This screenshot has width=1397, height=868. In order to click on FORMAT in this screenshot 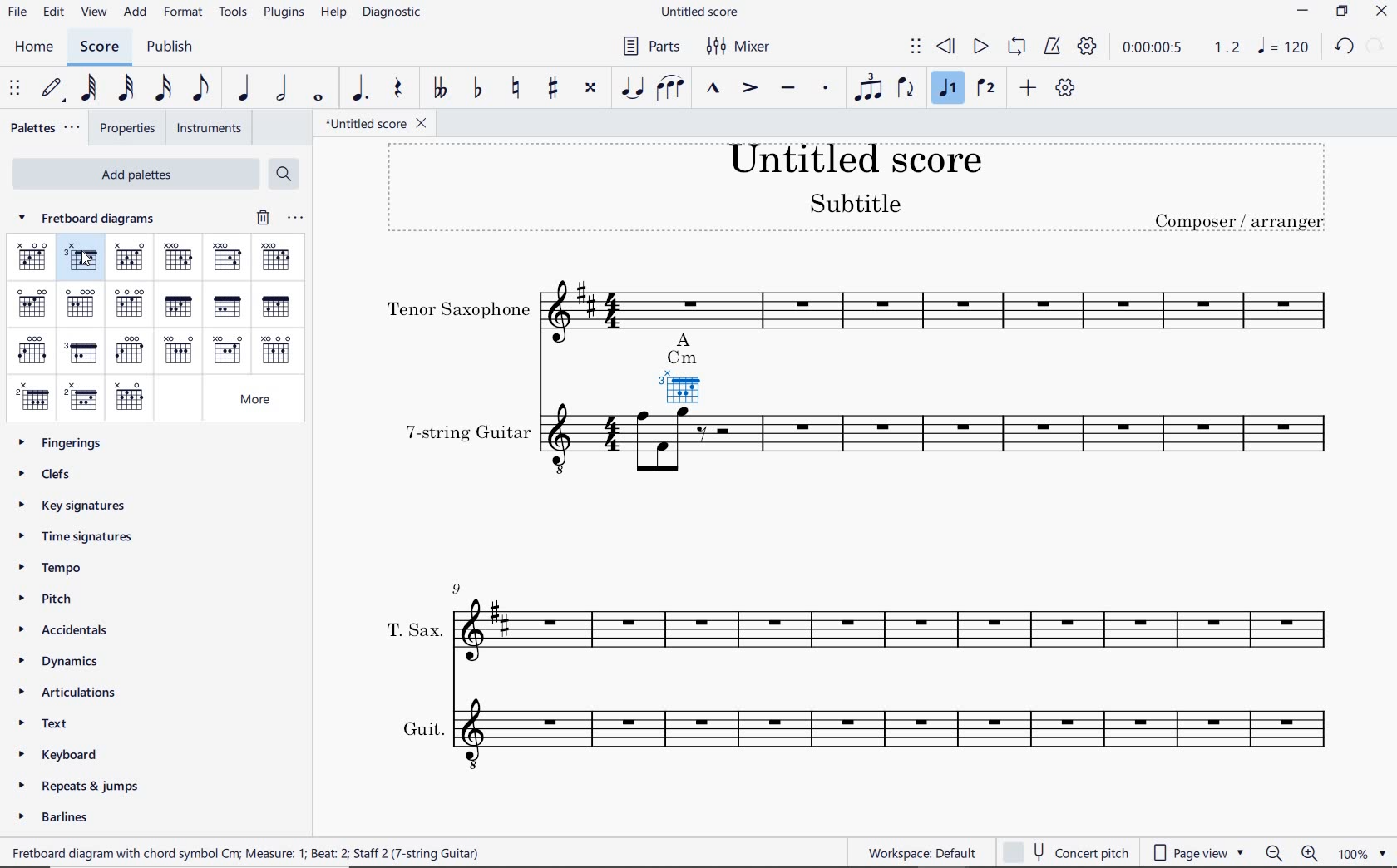, I will do `click(184, 13)`.